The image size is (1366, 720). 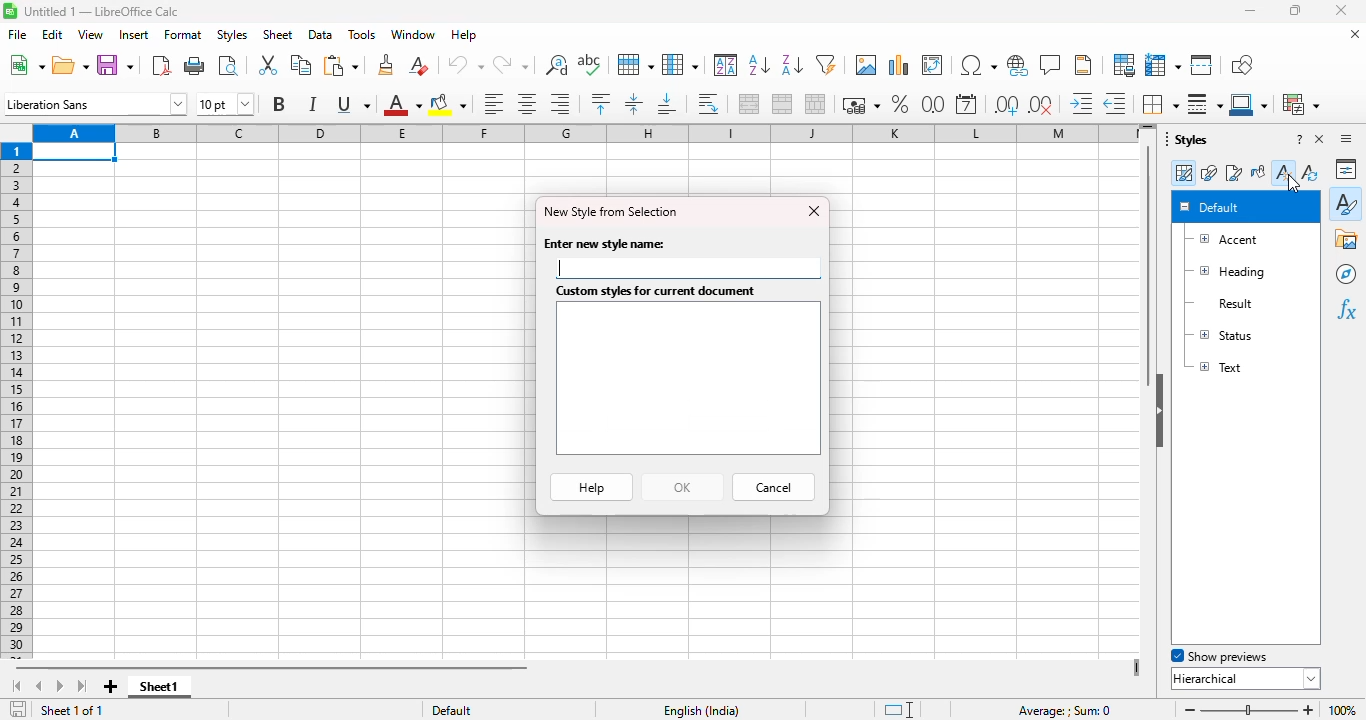 I want to click on zoom out, so click(x=1190, y=710).